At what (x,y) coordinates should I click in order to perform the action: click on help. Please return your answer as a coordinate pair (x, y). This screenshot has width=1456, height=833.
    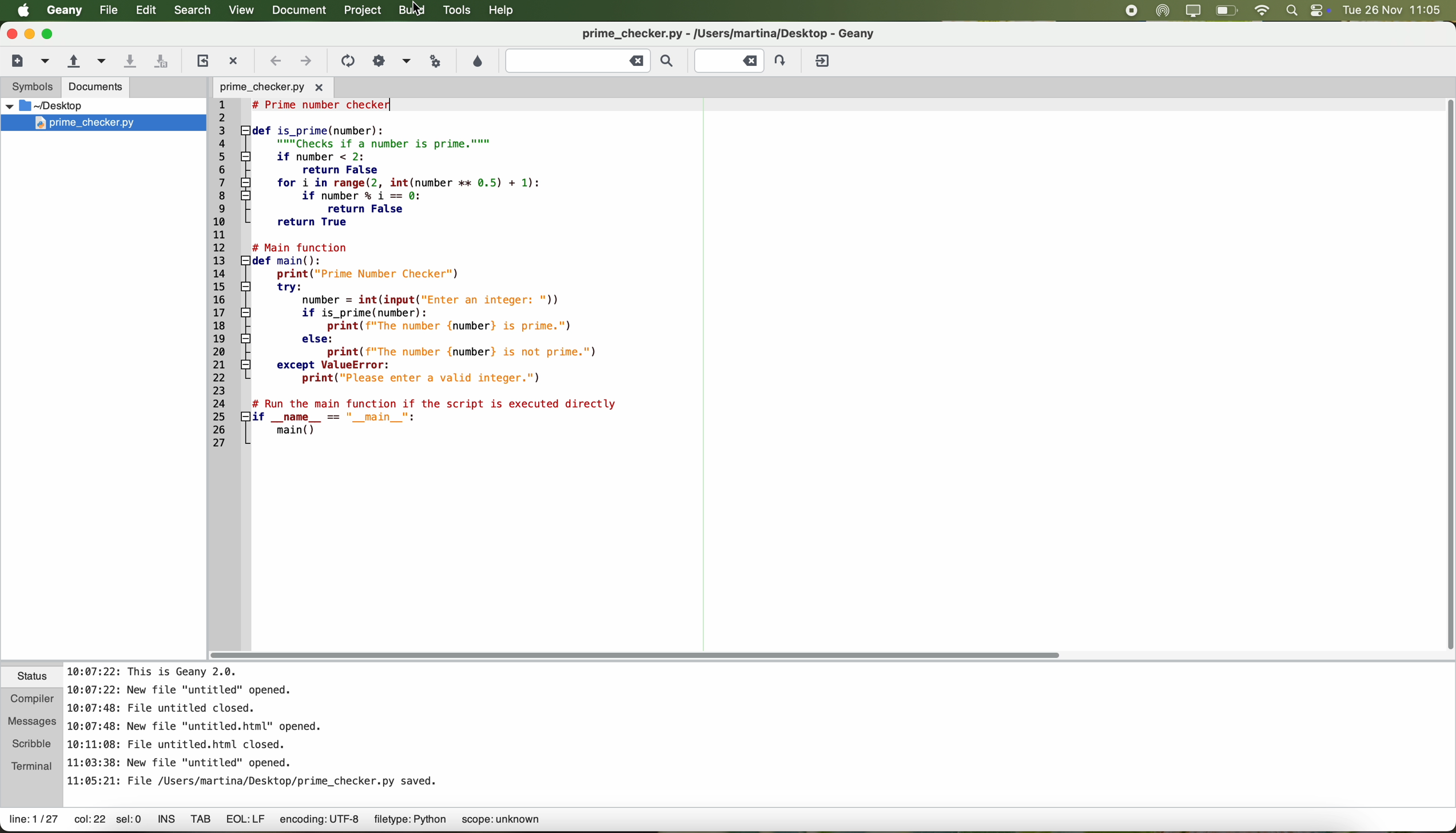
    Looking at the image, I should click on (506, 12).